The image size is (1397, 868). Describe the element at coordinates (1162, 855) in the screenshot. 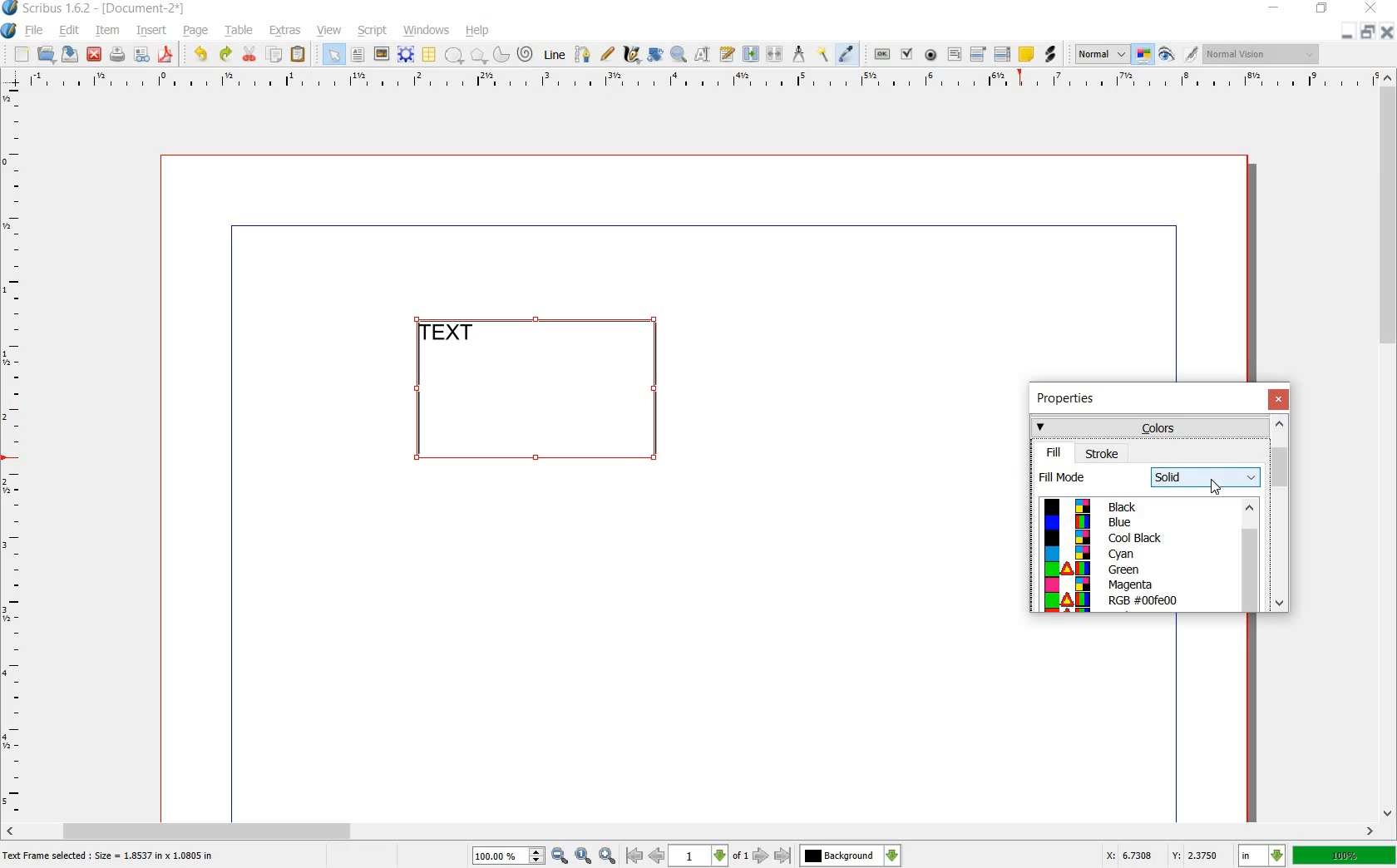

I see `X: 6.7308 Y: 2.3750` at that location.